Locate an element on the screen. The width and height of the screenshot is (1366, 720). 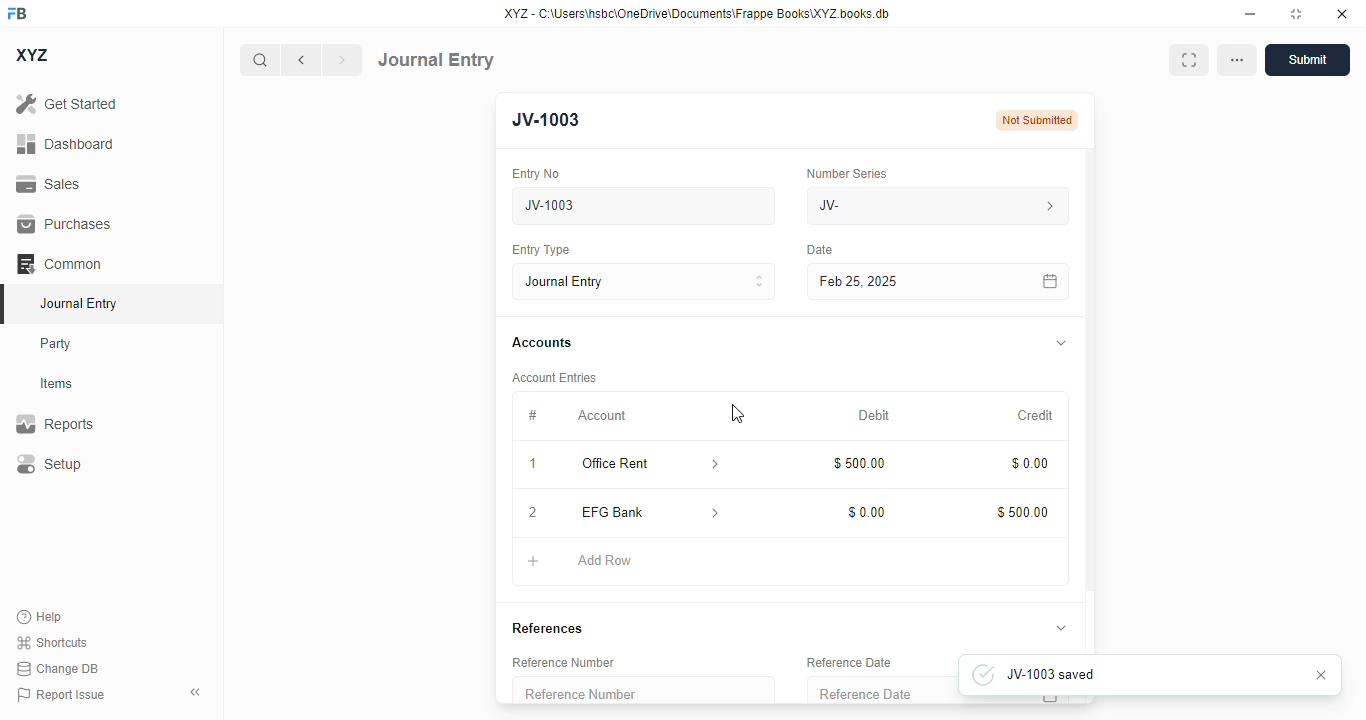
XYZ - C:\Users\hsbc\OneDrive\Documents\Frappe Books\XYZ books.db is located at coordinates (697, 13).